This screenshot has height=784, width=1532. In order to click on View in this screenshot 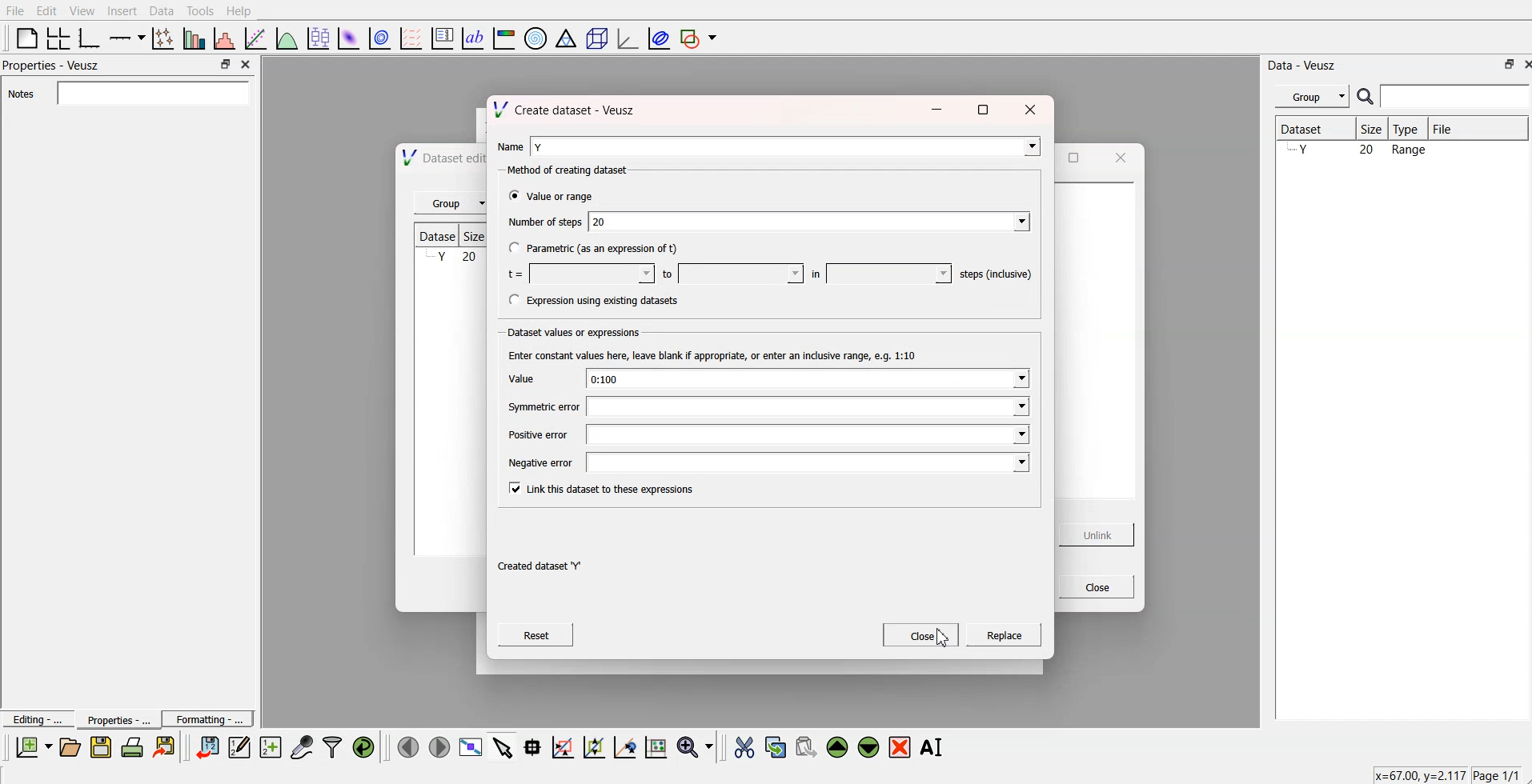, I will do `click(82, 10)`.